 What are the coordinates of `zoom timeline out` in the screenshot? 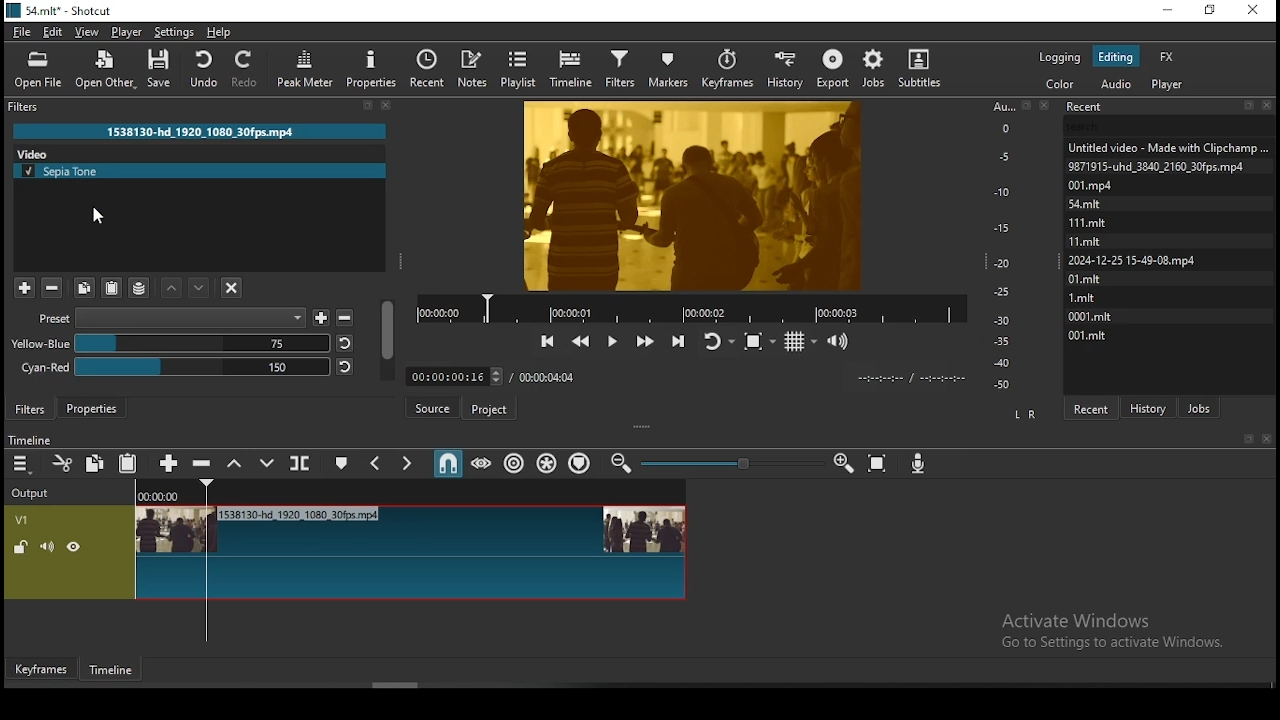 It's located at (843, 466).